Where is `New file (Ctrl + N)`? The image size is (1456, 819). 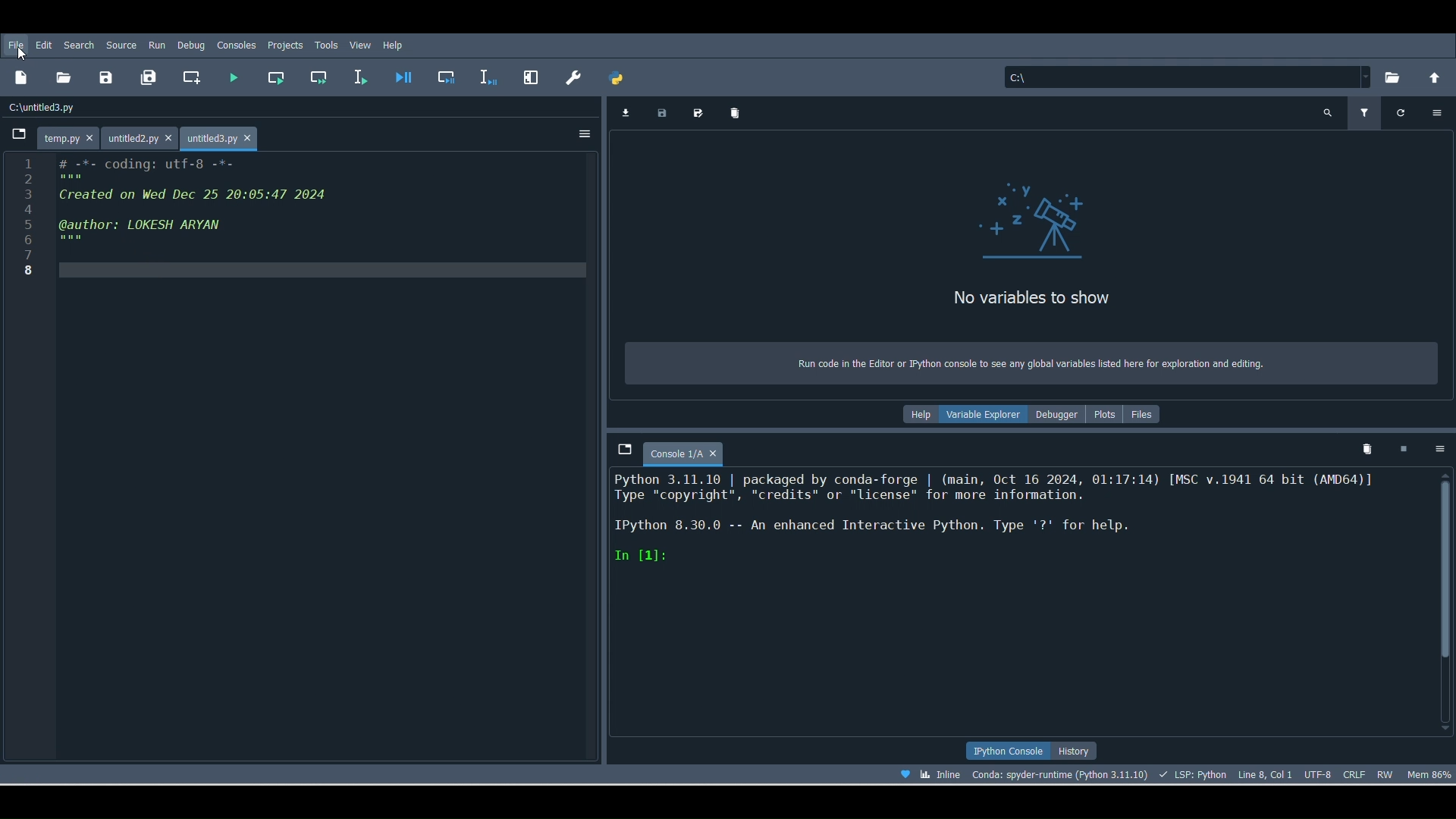
New file (Ctrl + N) is located at coordinates (21, 81).